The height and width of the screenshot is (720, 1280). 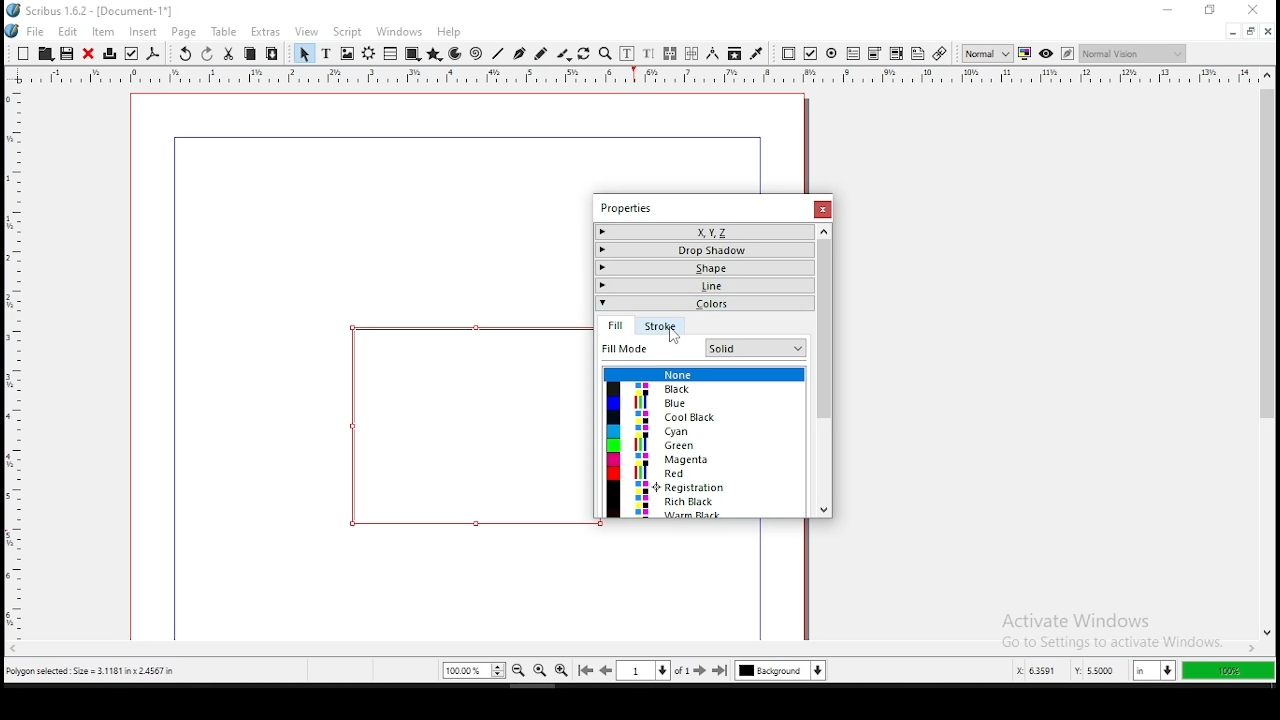 I want to click on preflight verifier, so click(x=130, y=54).